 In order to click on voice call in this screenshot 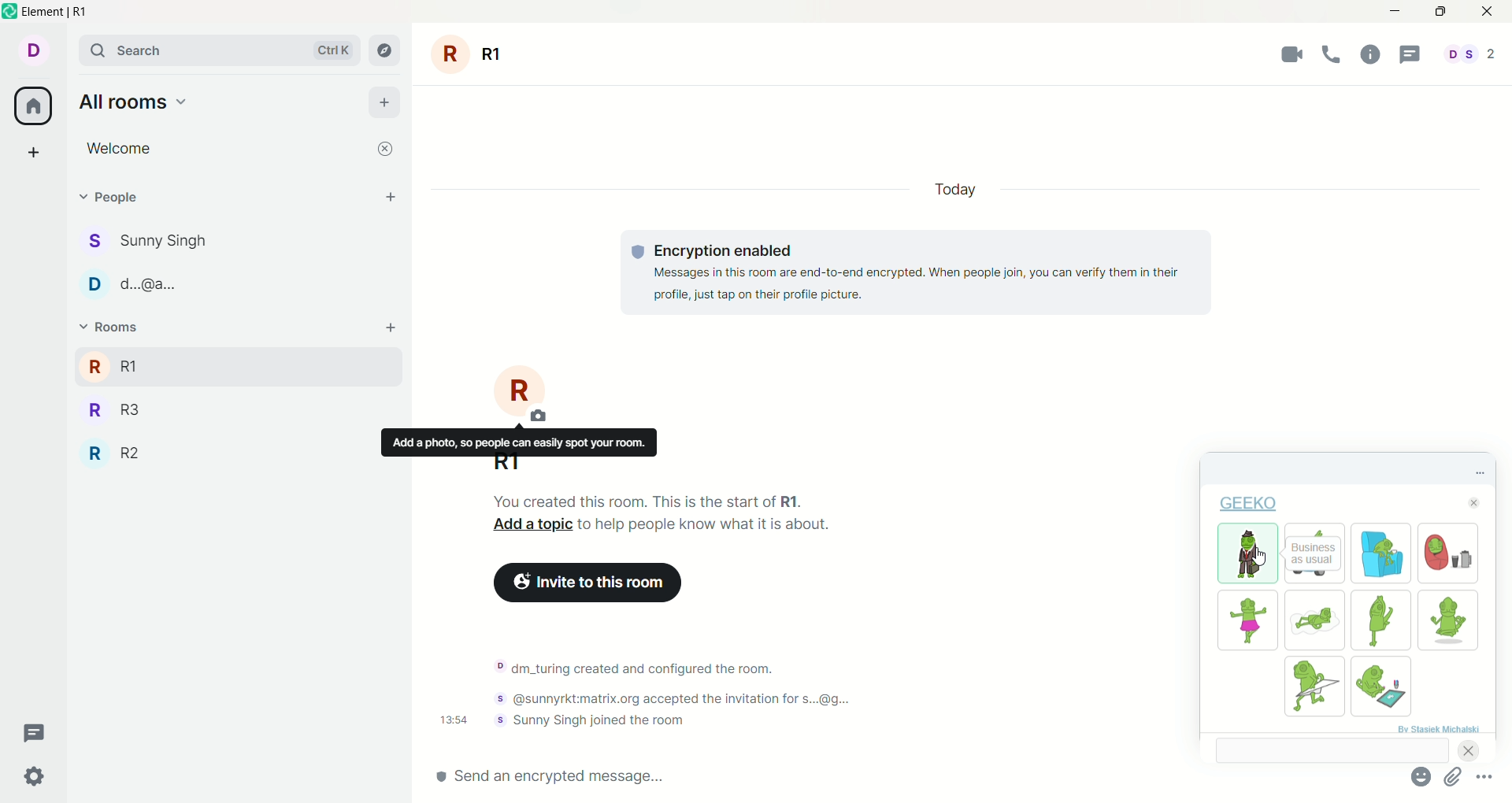, I will do `click(1332, 54)`.